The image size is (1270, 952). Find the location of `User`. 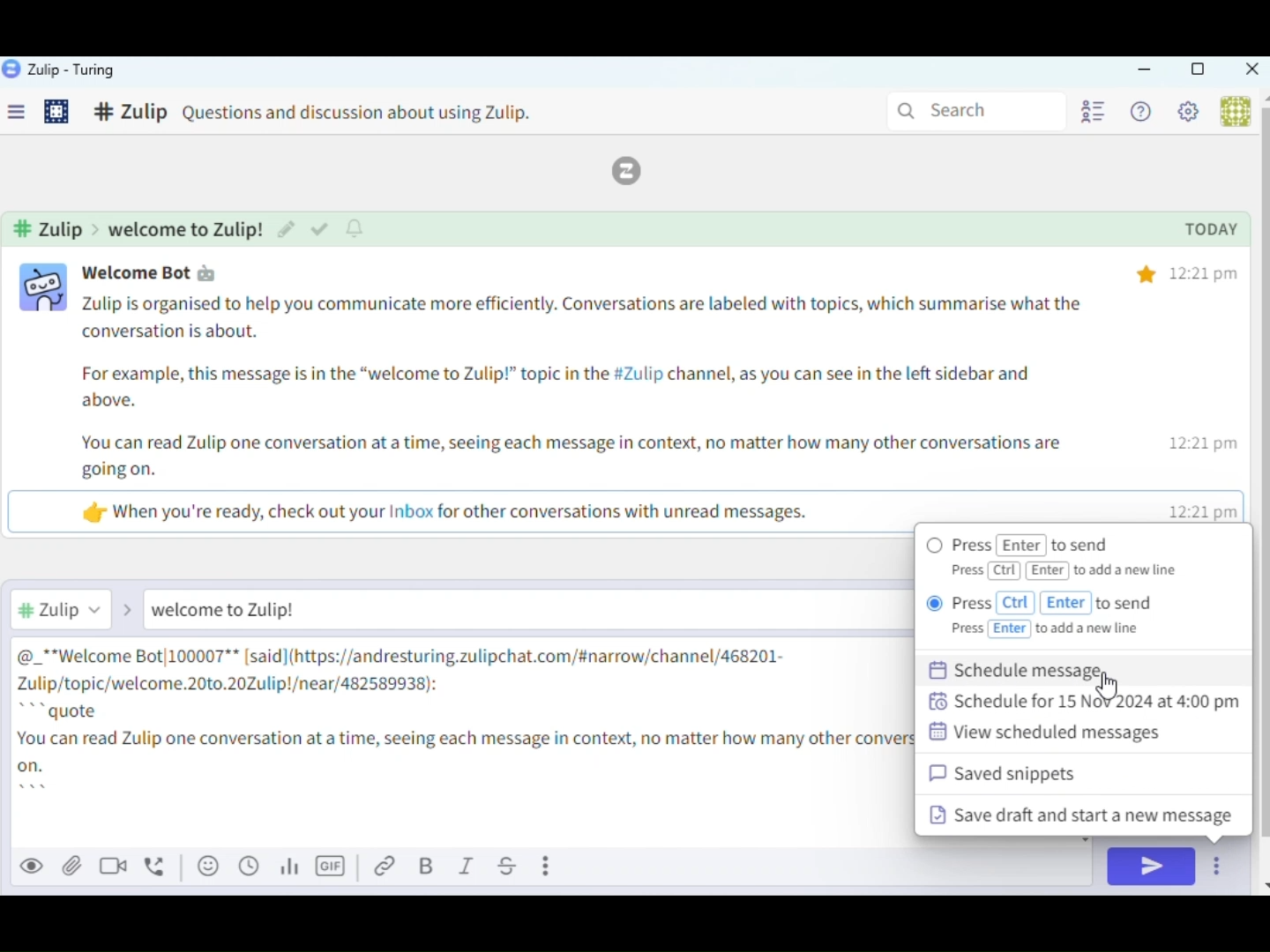

User is located at coordinates (1233, 111).